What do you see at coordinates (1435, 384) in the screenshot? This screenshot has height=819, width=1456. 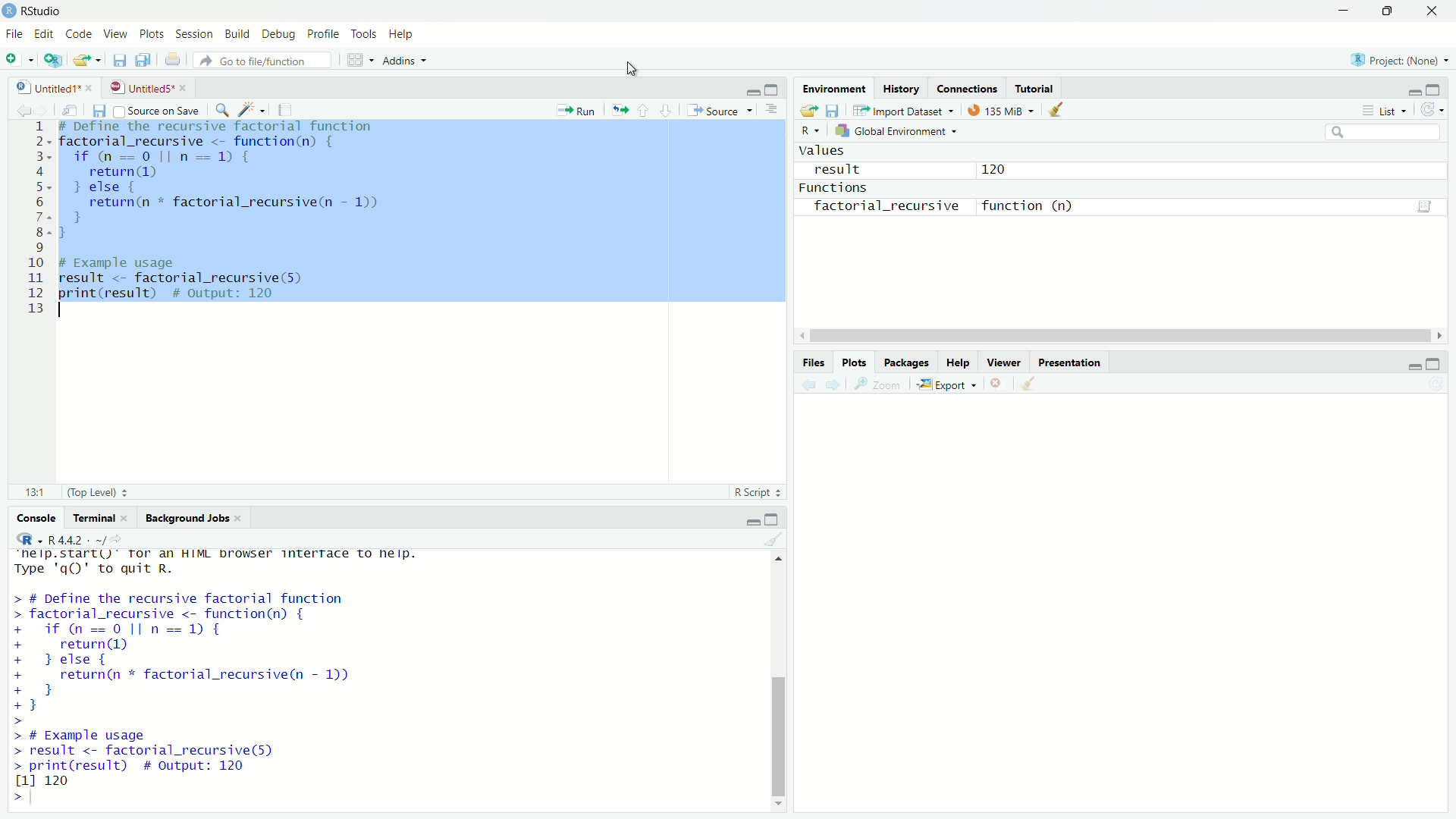 I see `Refresh current plot` at bounding box center [1435, 384].